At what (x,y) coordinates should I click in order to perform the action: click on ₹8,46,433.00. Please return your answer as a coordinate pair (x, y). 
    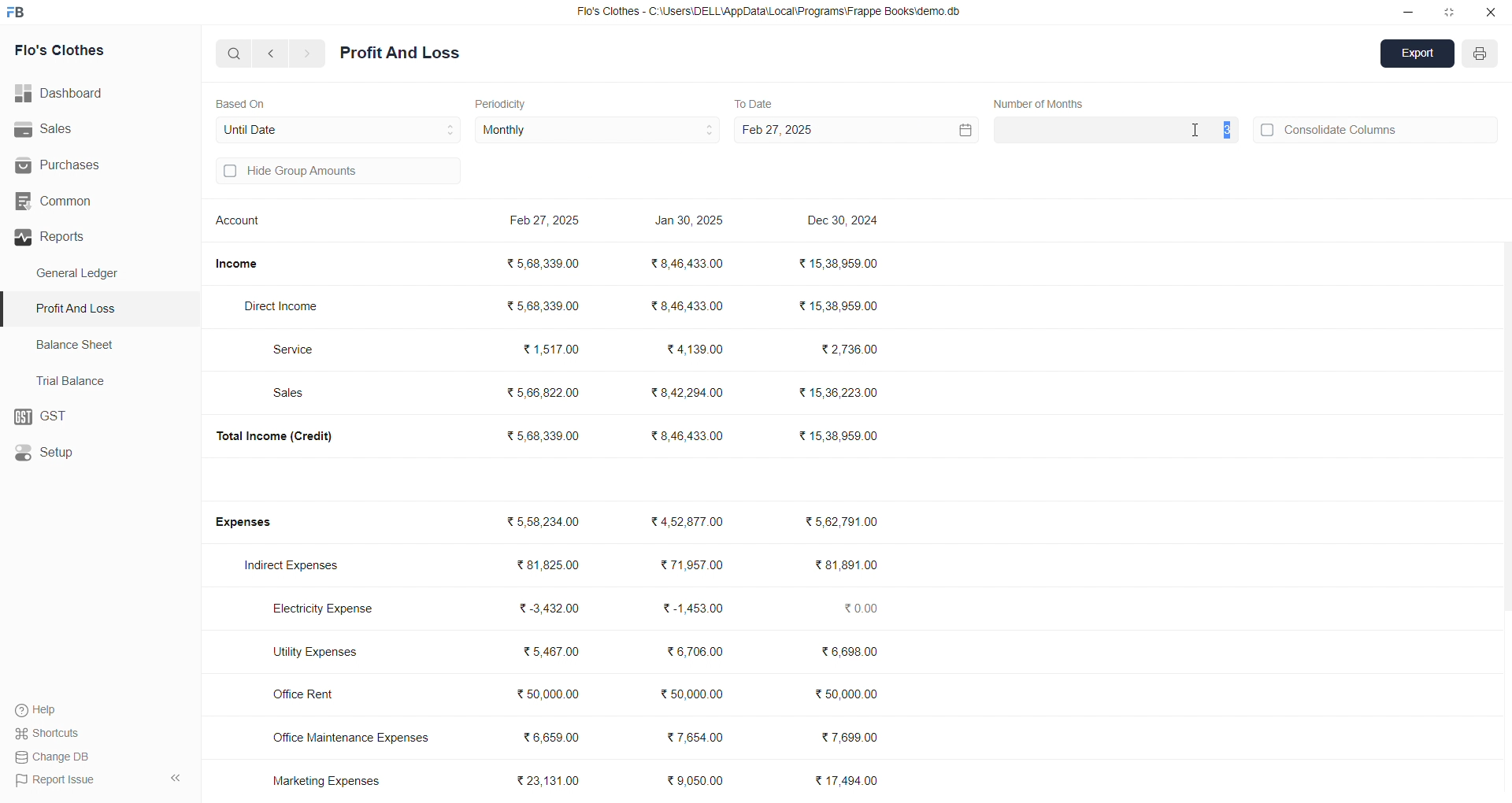
    Looking at the image, I should click on (691, 307).